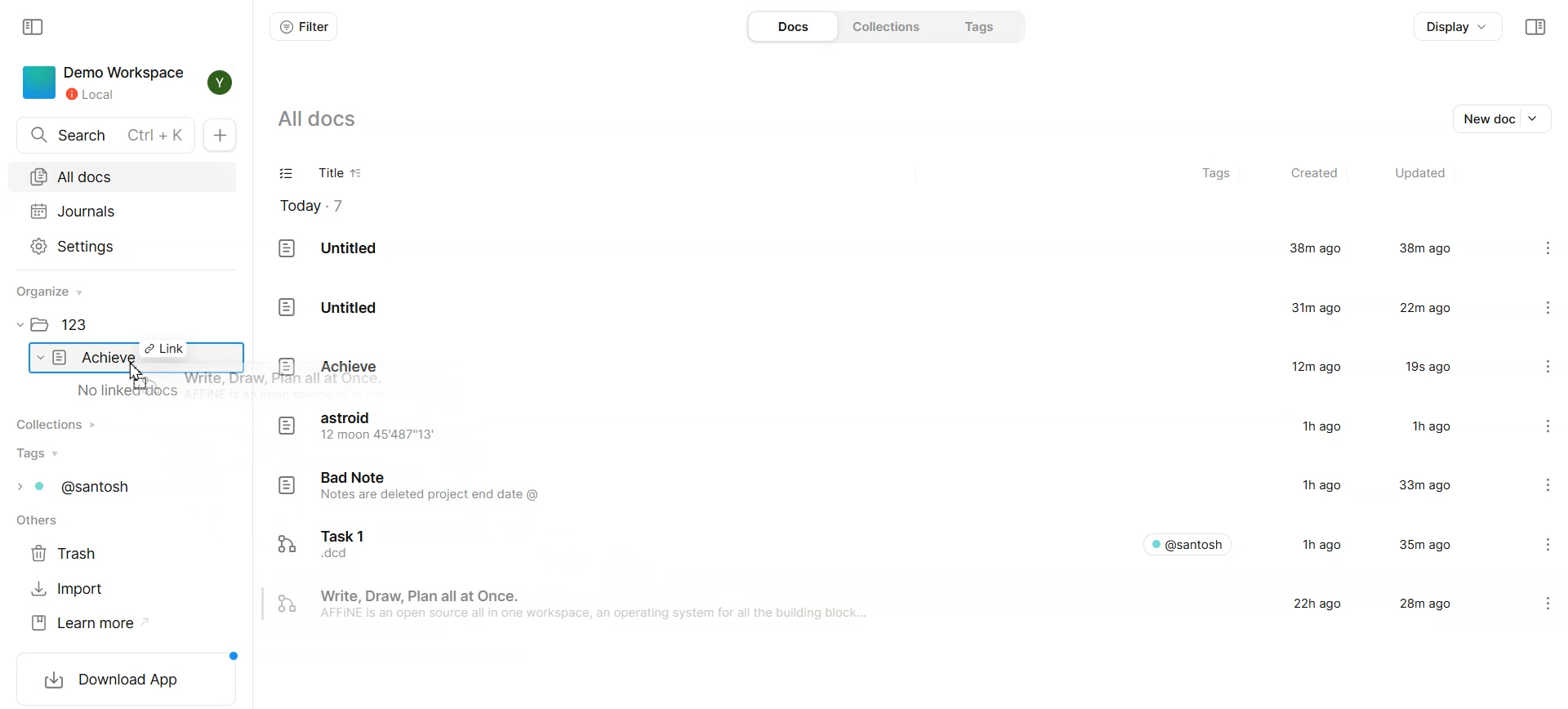 The image size is (1568, 709). What do you see at coordinates (1535, 305) in the screenshot?
I see `Settings` at bounding box center [1535, 305].